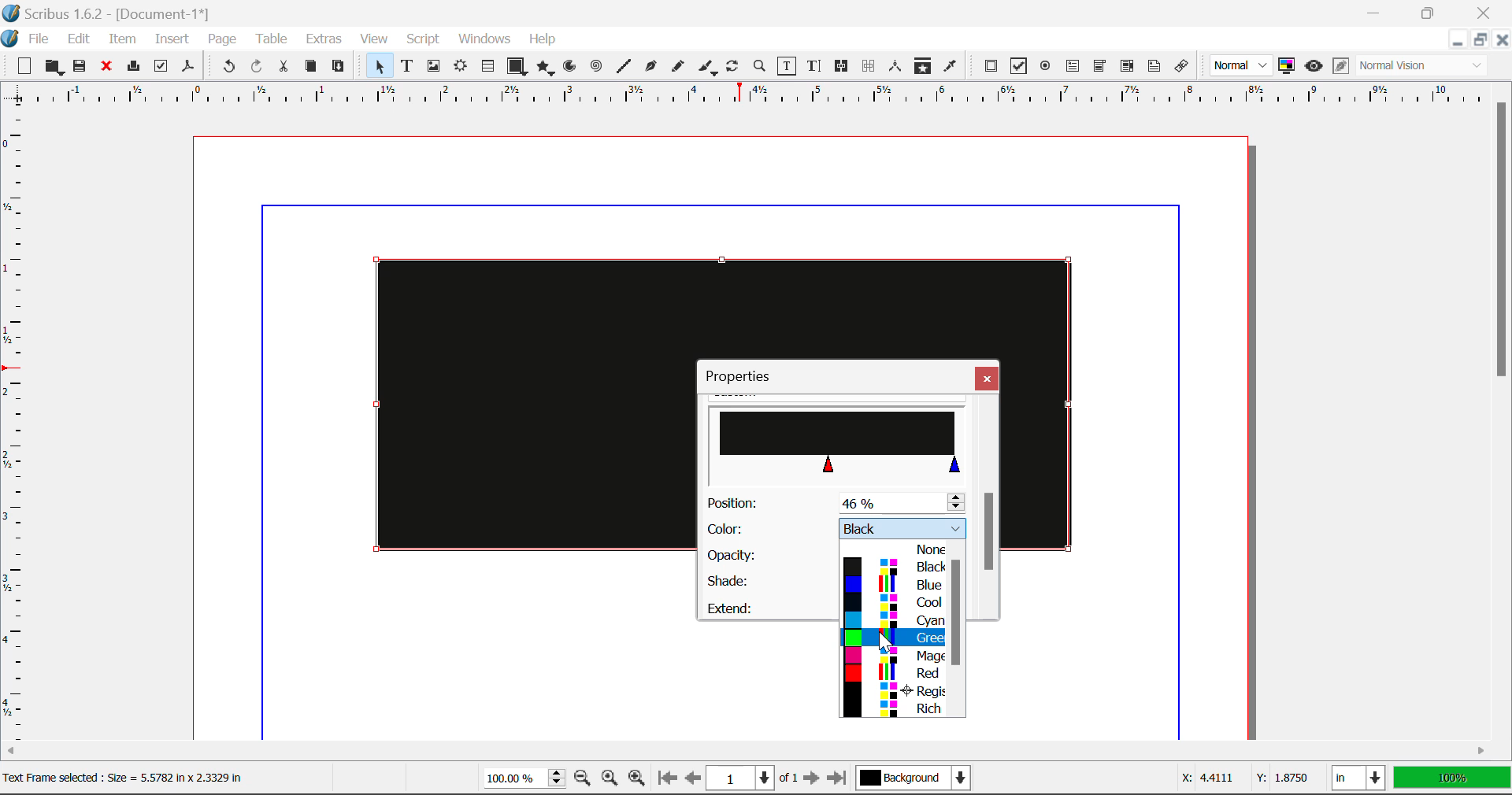 The image size is (1512, 795). Describe the element at coordinates (987, 378) in the screenshot. I see `Close` at that location.